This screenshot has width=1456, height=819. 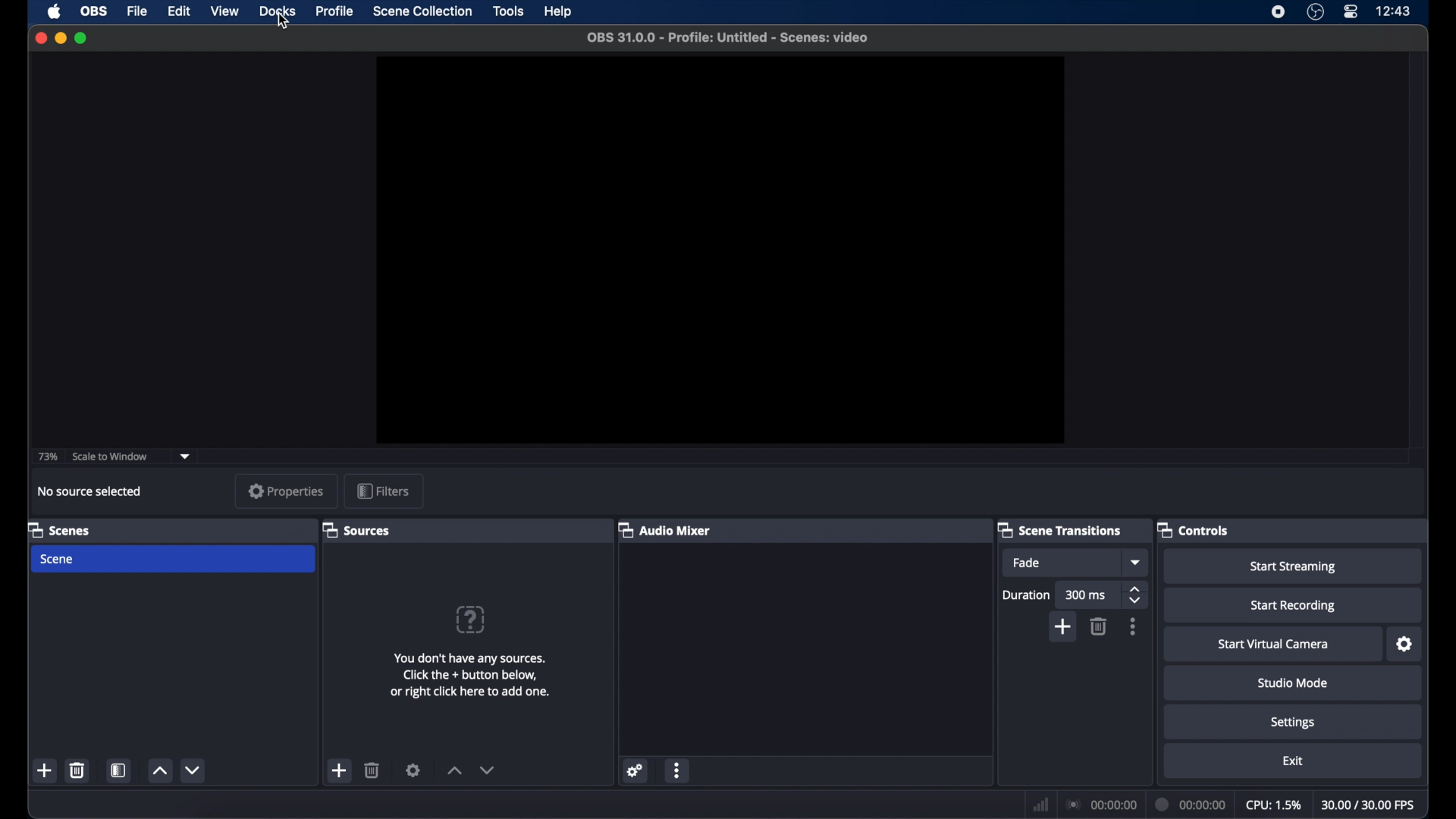 I want to click on start recording, so click(x=1291, y=606).